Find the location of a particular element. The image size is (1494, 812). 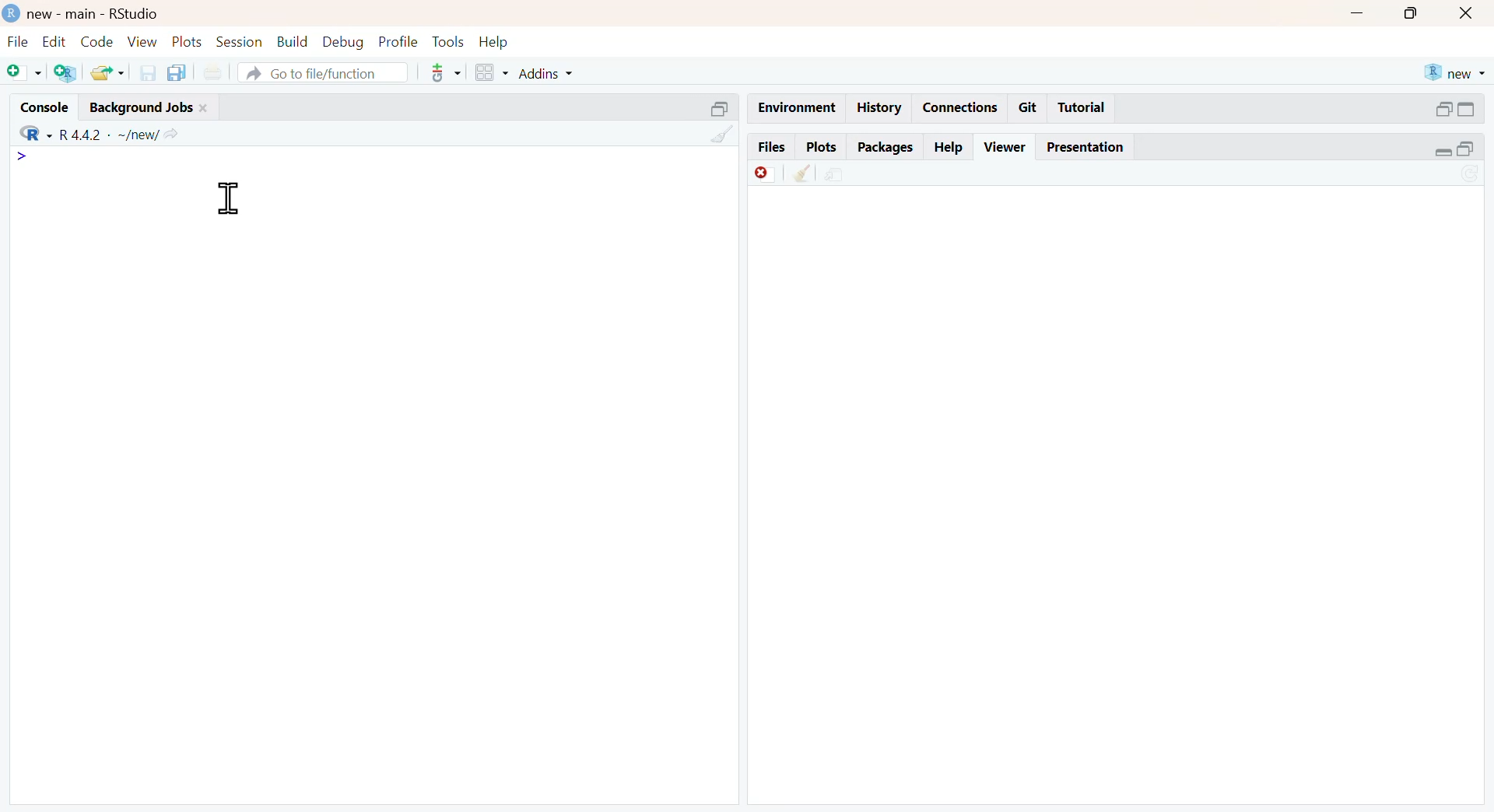

console is located at coordinates (44, 107).